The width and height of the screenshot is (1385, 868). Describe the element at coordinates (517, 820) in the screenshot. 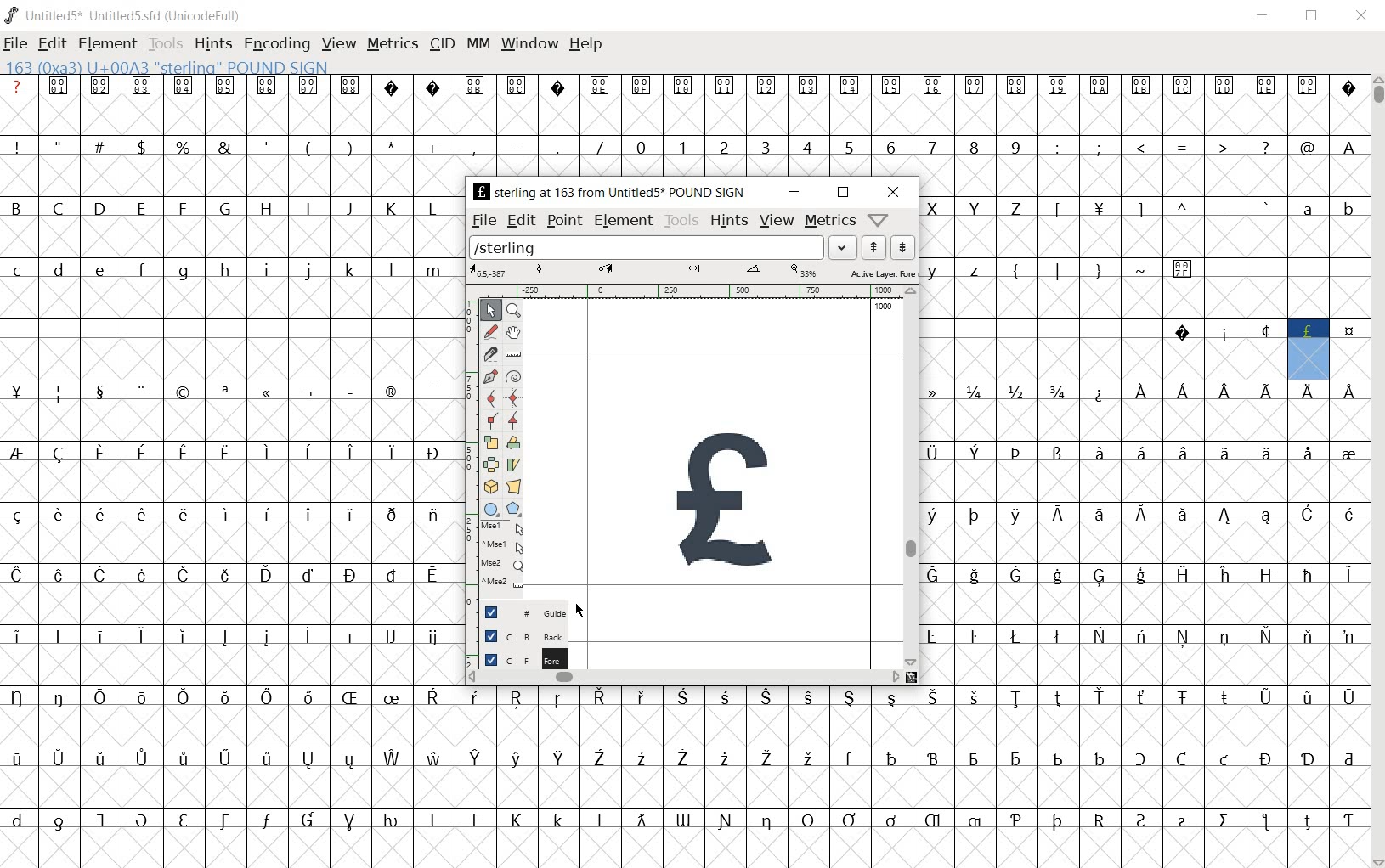

I see `Symbol` at that location.